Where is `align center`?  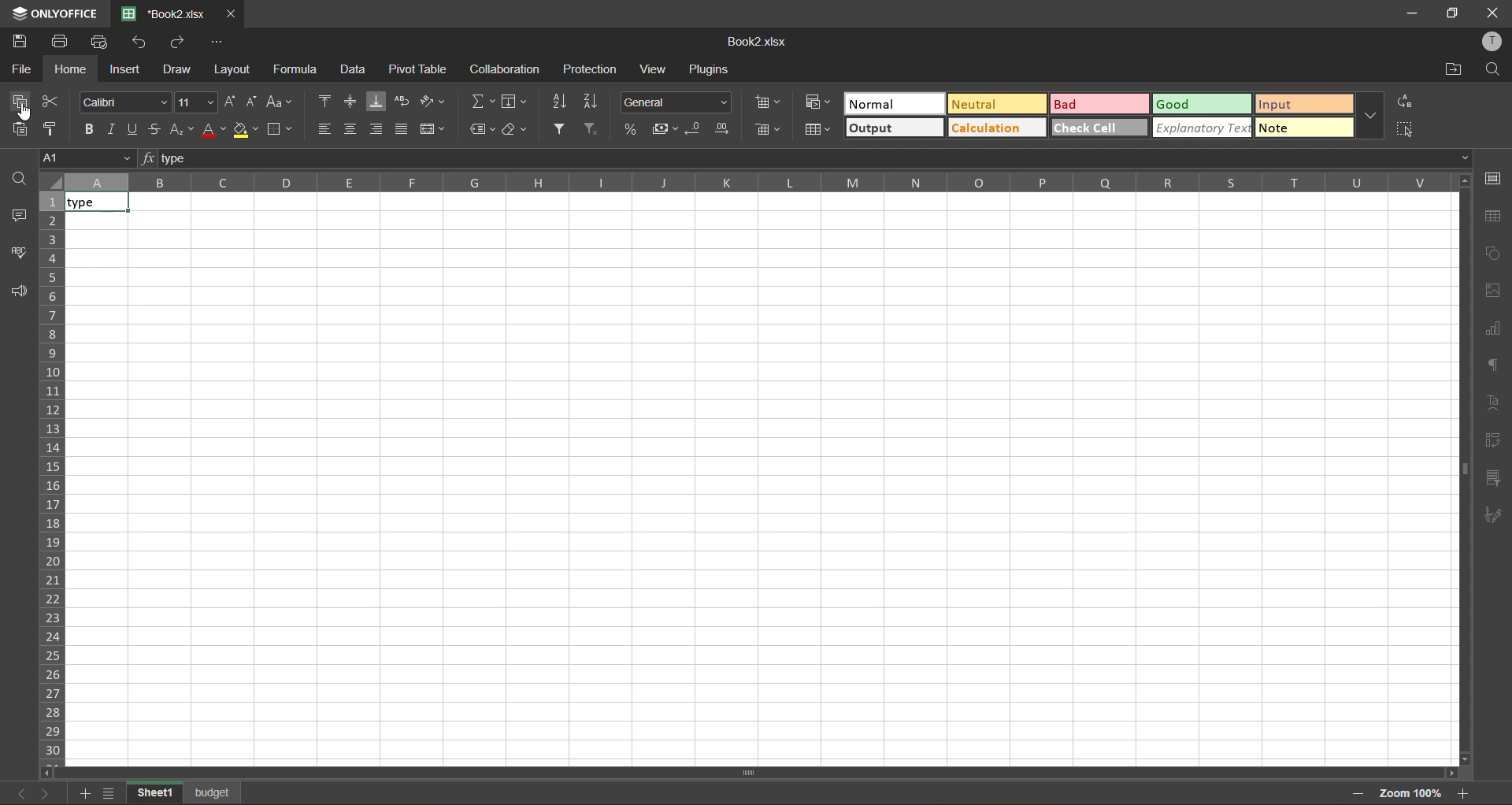
align center is located at coordinates (351, 126).